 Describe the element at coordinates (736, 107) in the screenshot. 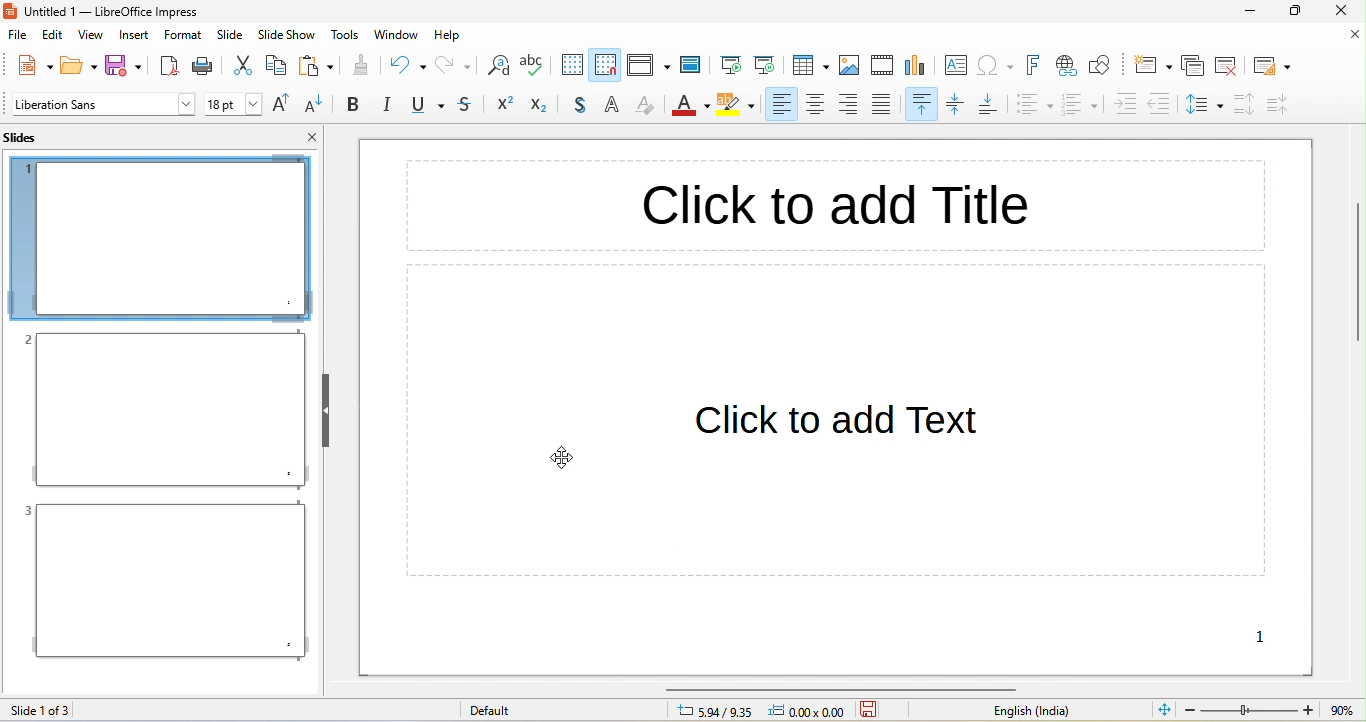

I see `character highlighting` at that location.